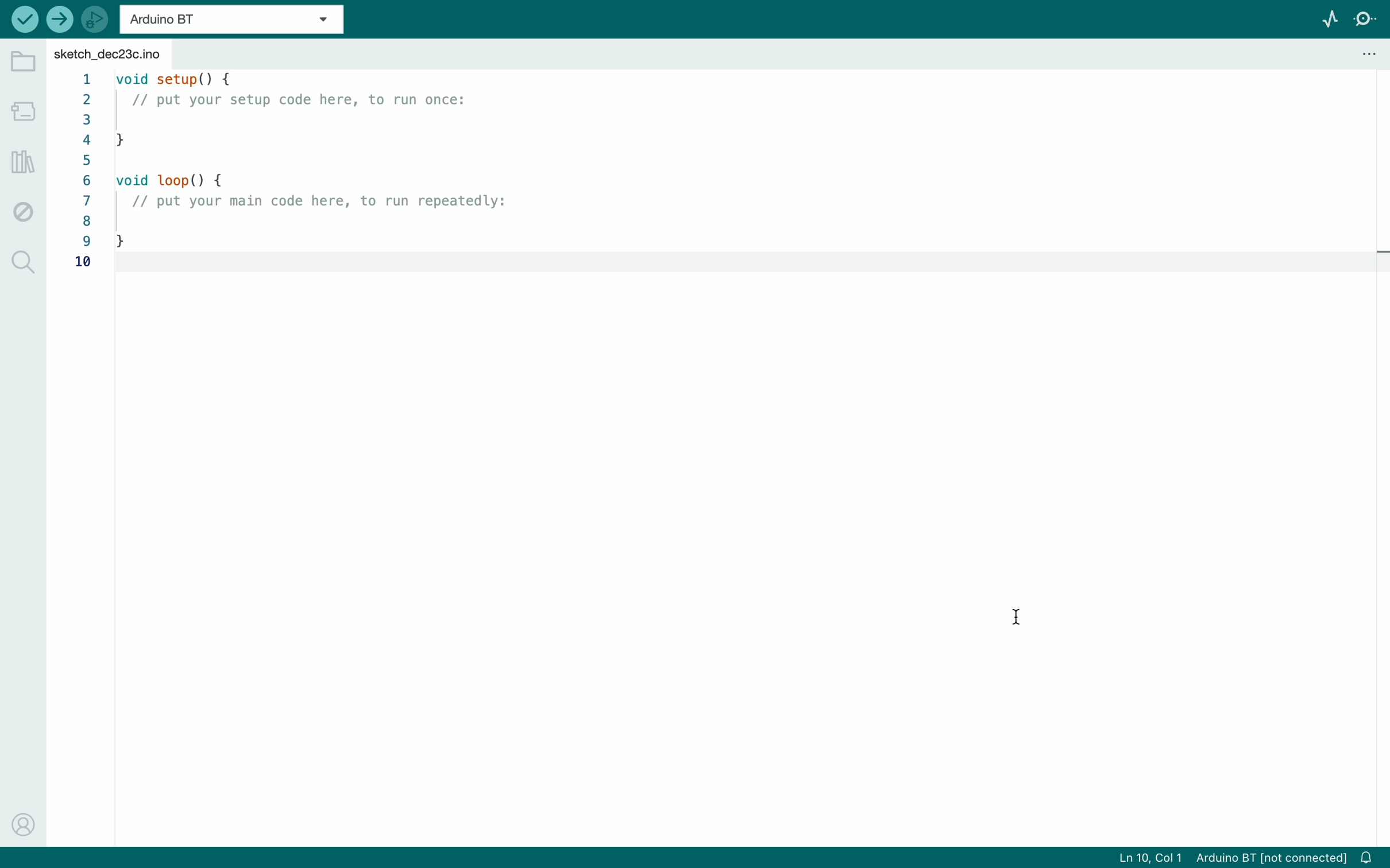 The width and height of the screenshot is (1390, 868). I want to click on code, so click(316, 173).